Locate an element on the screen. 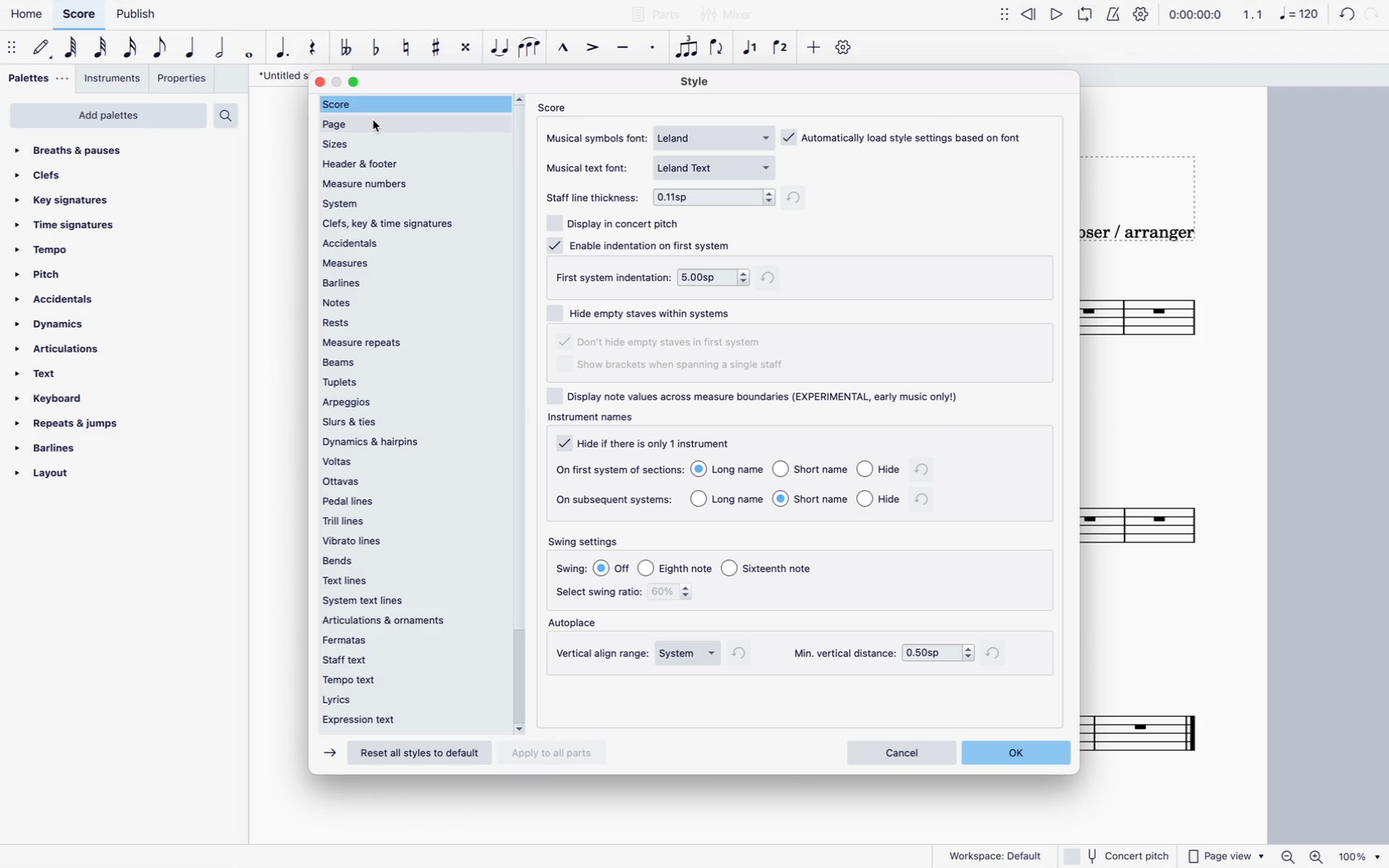 Image resolution: width=1389 pixels, height=868 pixels. accidentals is located at coordinates (55, 300).